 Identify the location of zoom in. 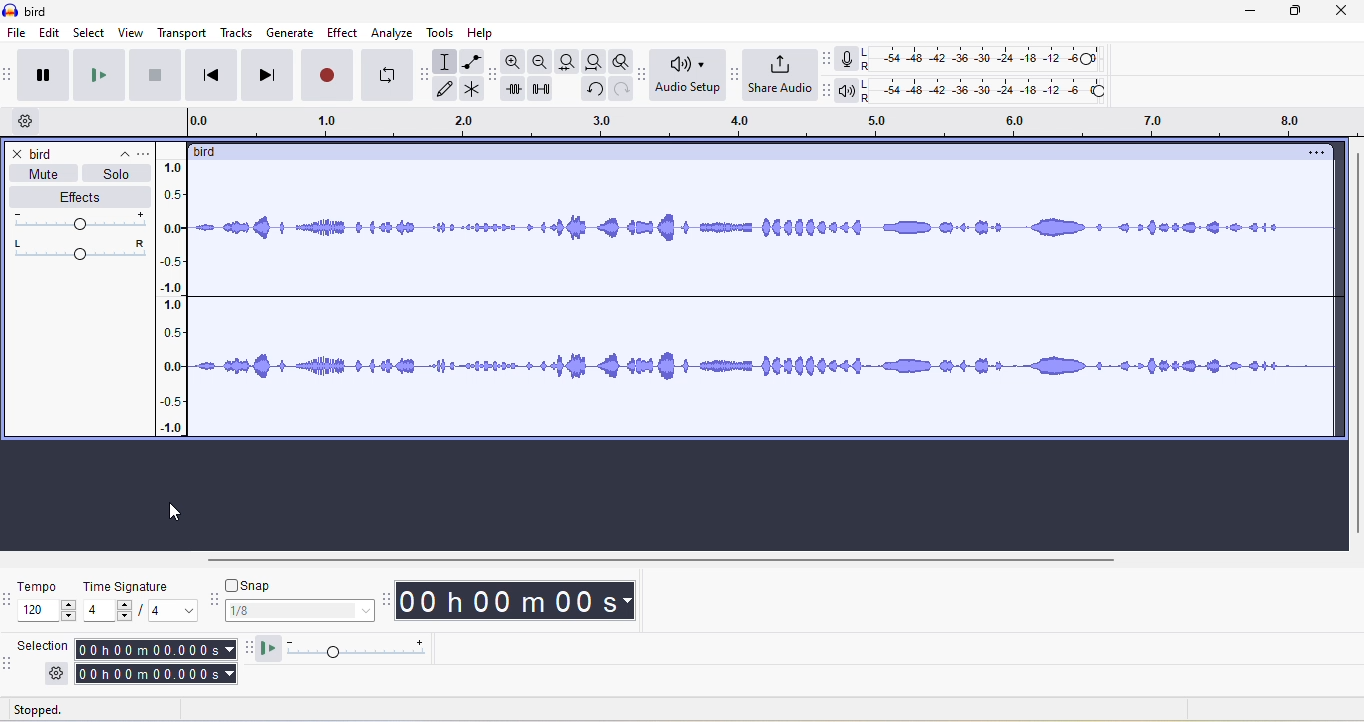
(515, 64).